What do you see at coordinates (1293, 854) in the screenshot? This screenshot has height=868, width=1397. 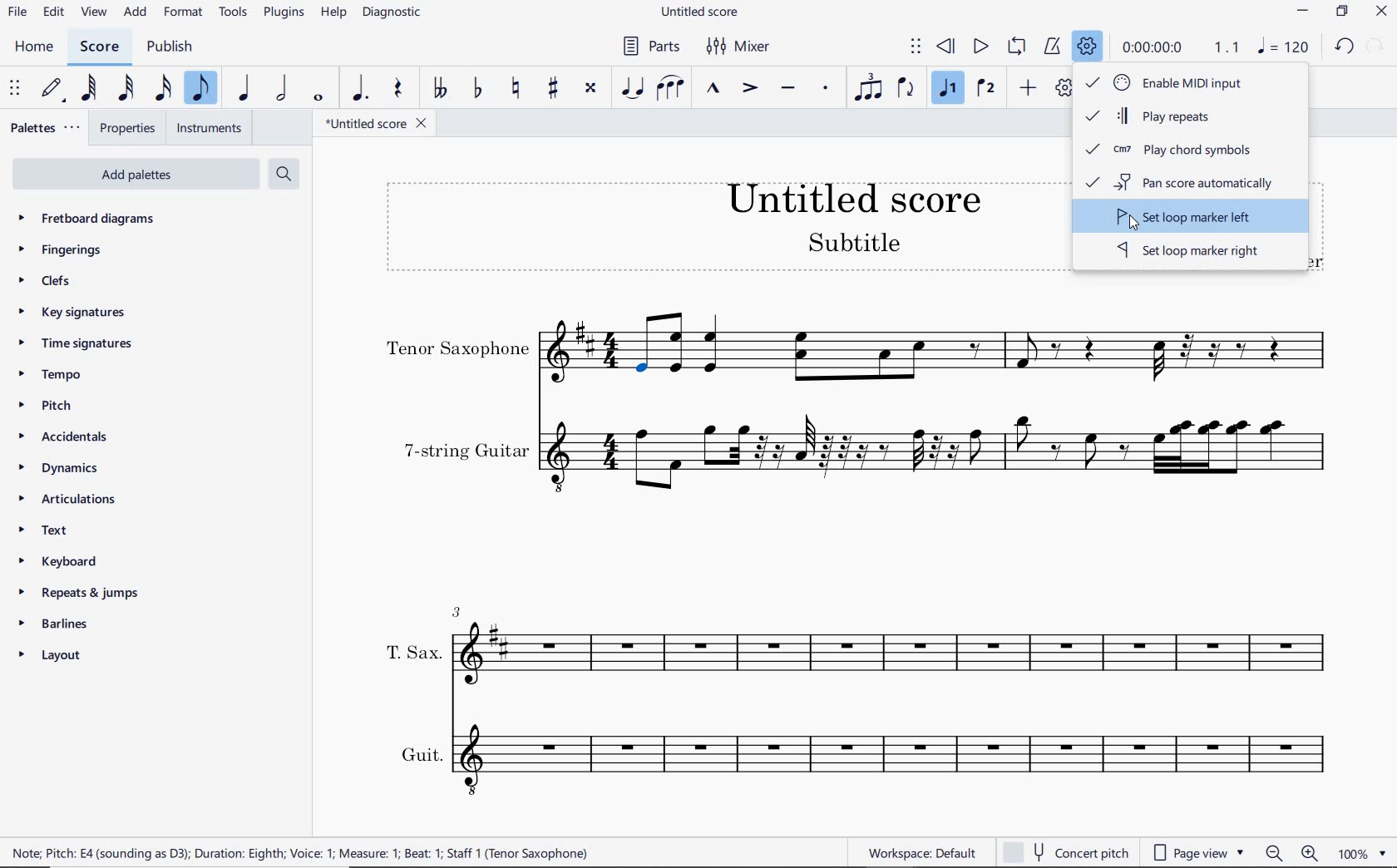 I see `ZOOM OUT OR ZOOM IN` at bounding box center [1293, 854].